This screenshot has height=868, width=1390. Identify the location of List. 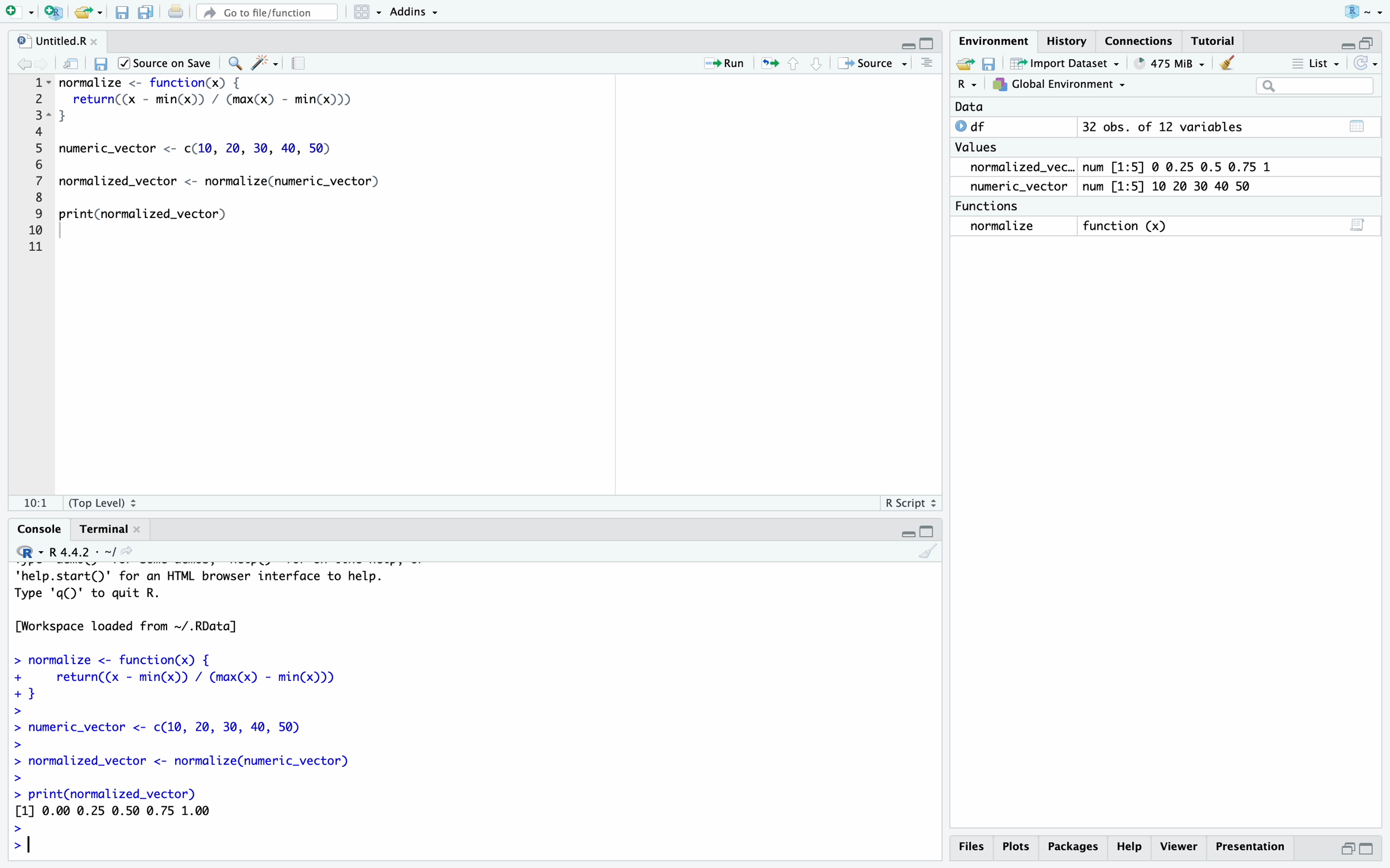
(1317, 63).